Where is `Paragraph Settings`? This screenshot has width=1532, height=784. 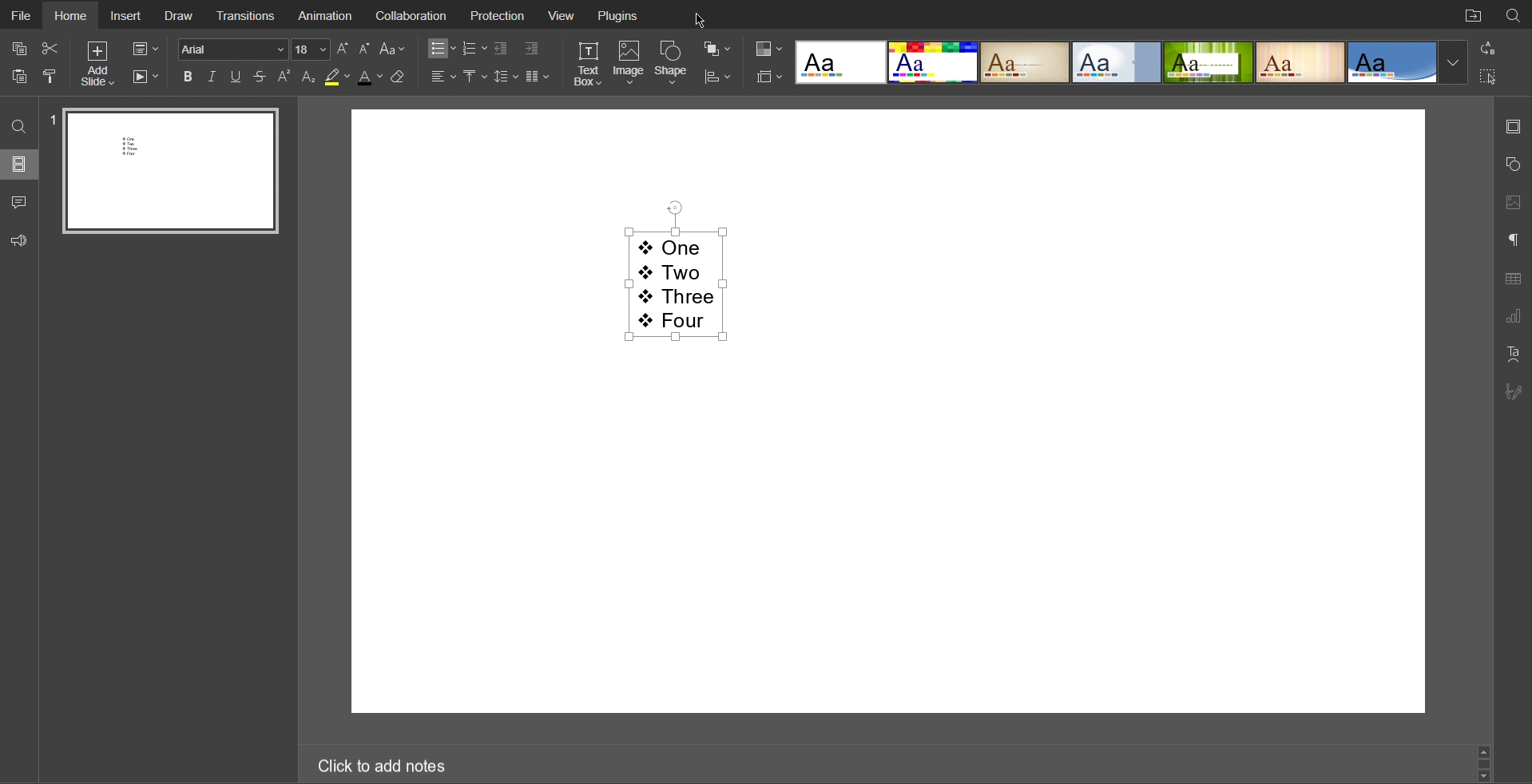
Paragraph Settings is located at coordinates (1512, 240).